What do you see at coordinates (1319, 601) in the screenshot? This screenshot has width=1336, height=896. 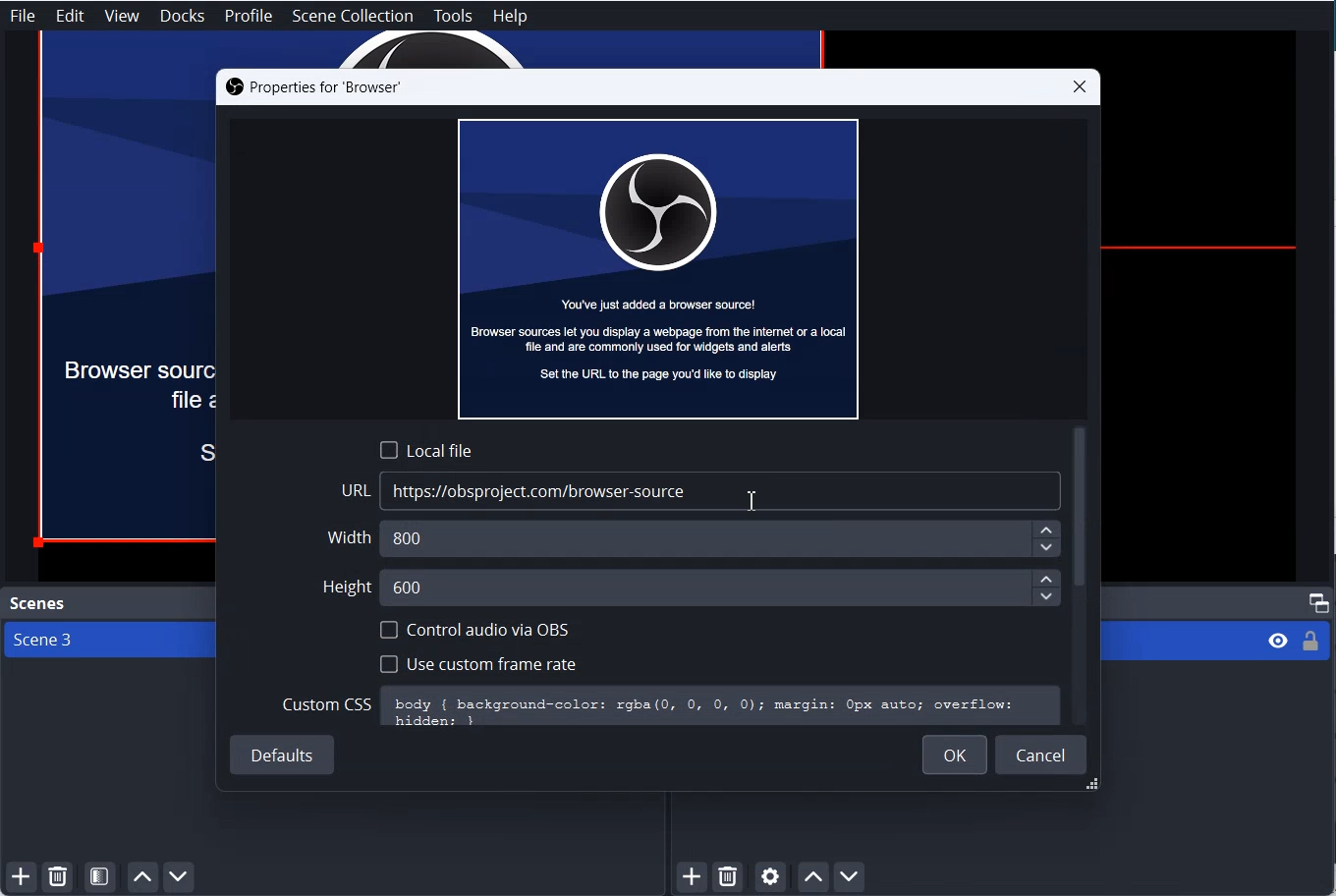 I see `Maximize` at bounding box center [1319, 601].